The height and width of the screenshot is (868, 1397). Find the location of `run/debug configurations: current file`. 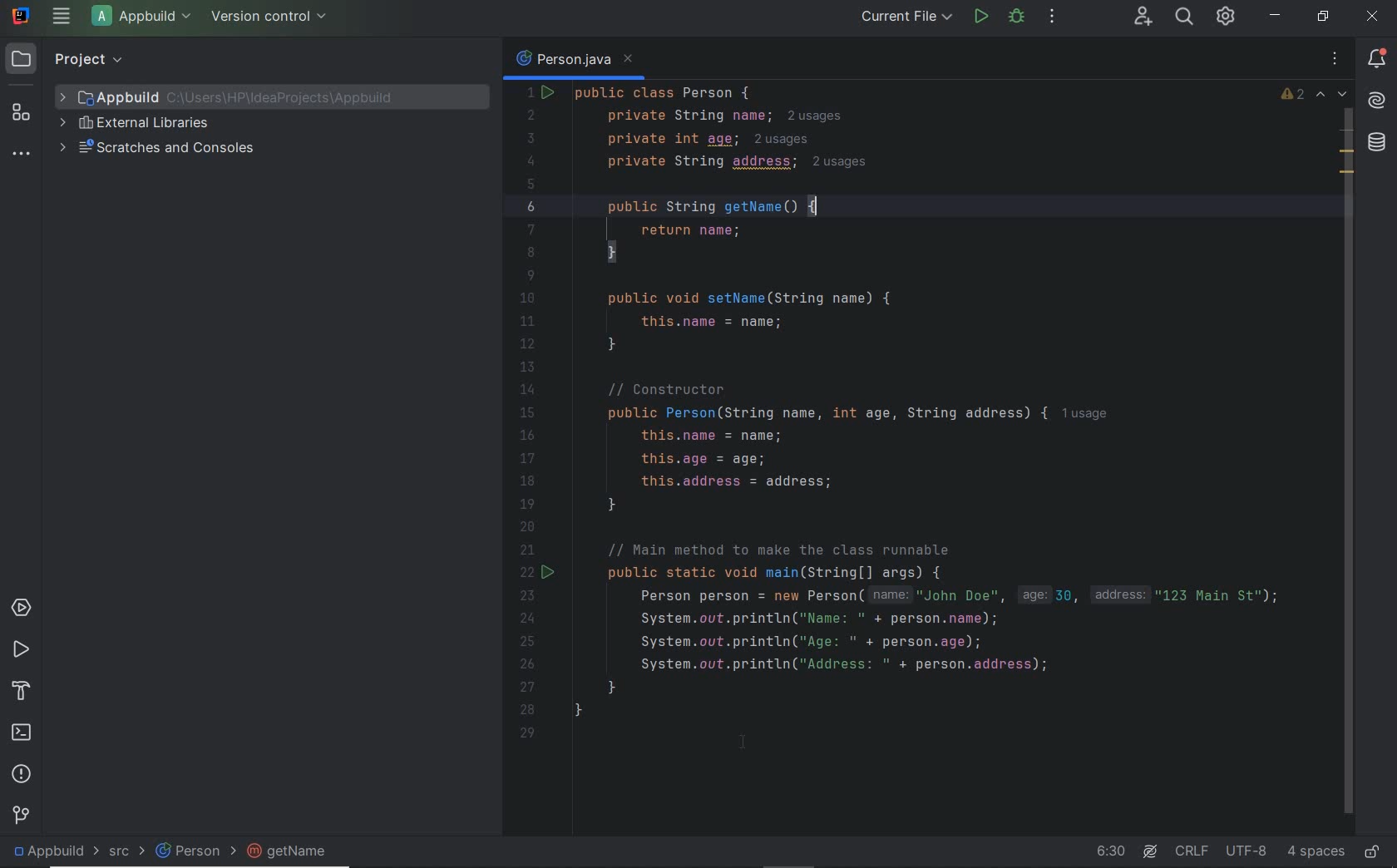

run/debug configurations: current file is located at coordinates (906, 16).